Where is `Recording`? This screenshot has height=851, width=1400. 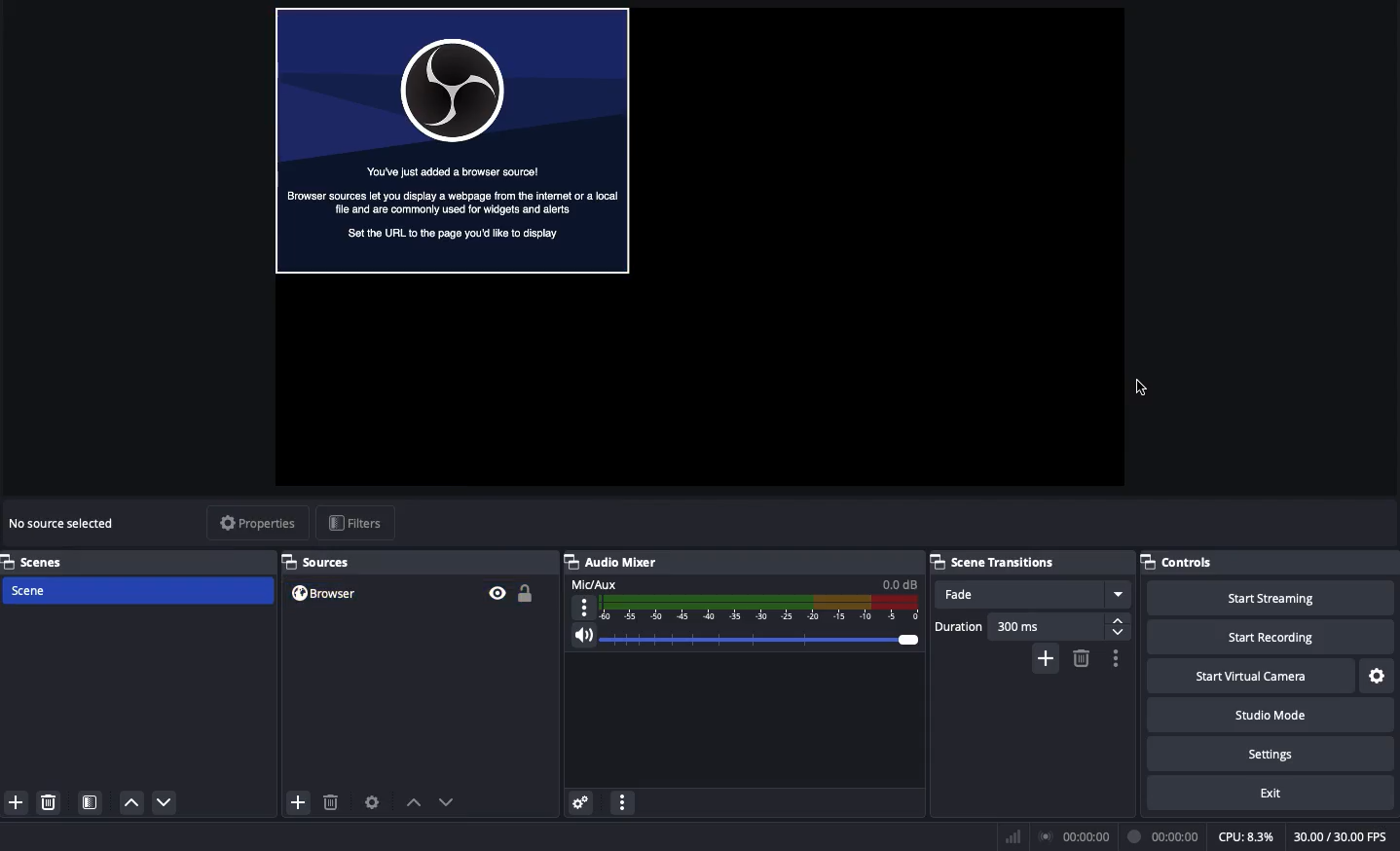
Recording is located at coordinates (1161, 836).